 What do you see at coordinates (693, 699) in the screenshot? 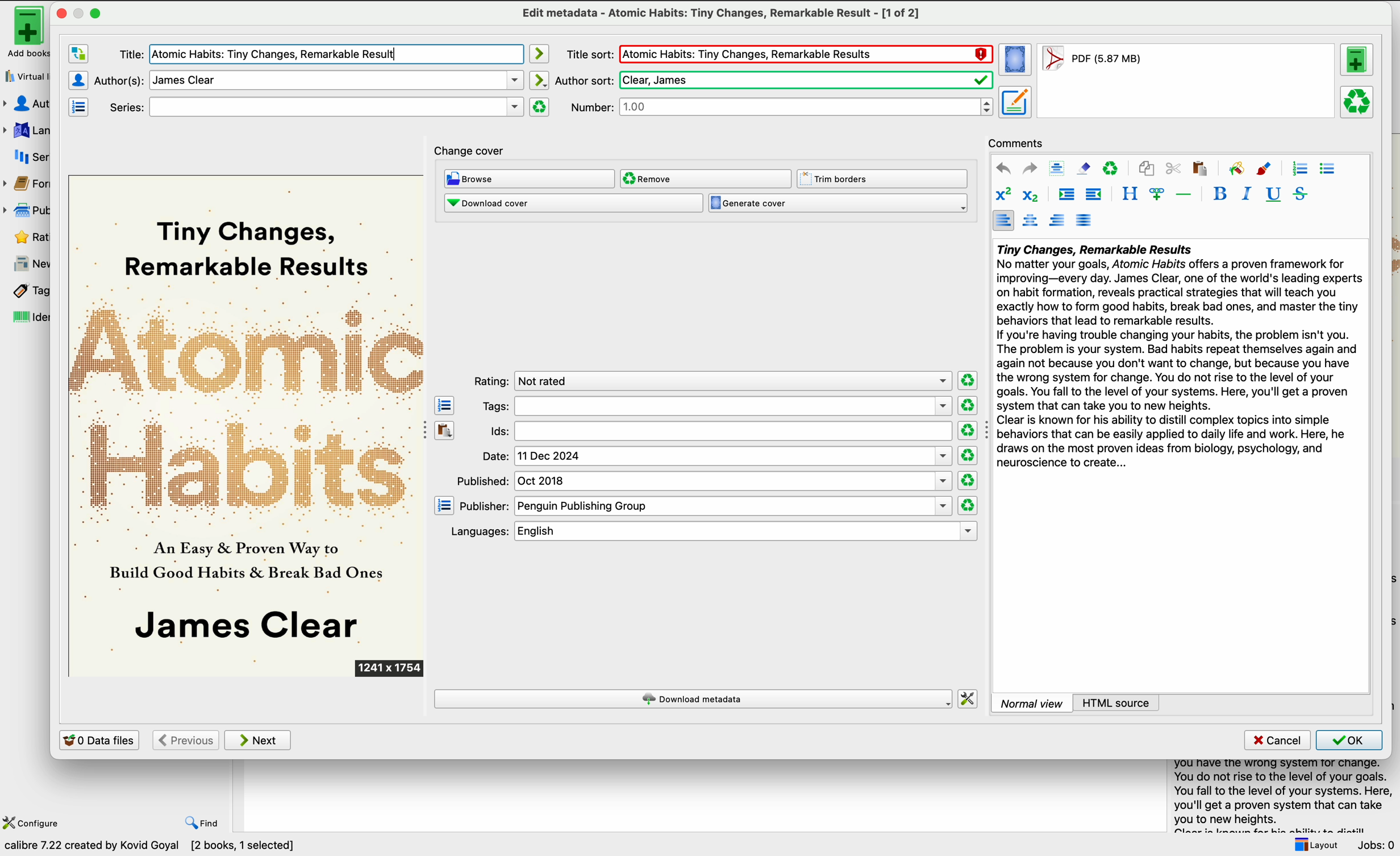
I see `download metadata` at bounding box center [693, 699].